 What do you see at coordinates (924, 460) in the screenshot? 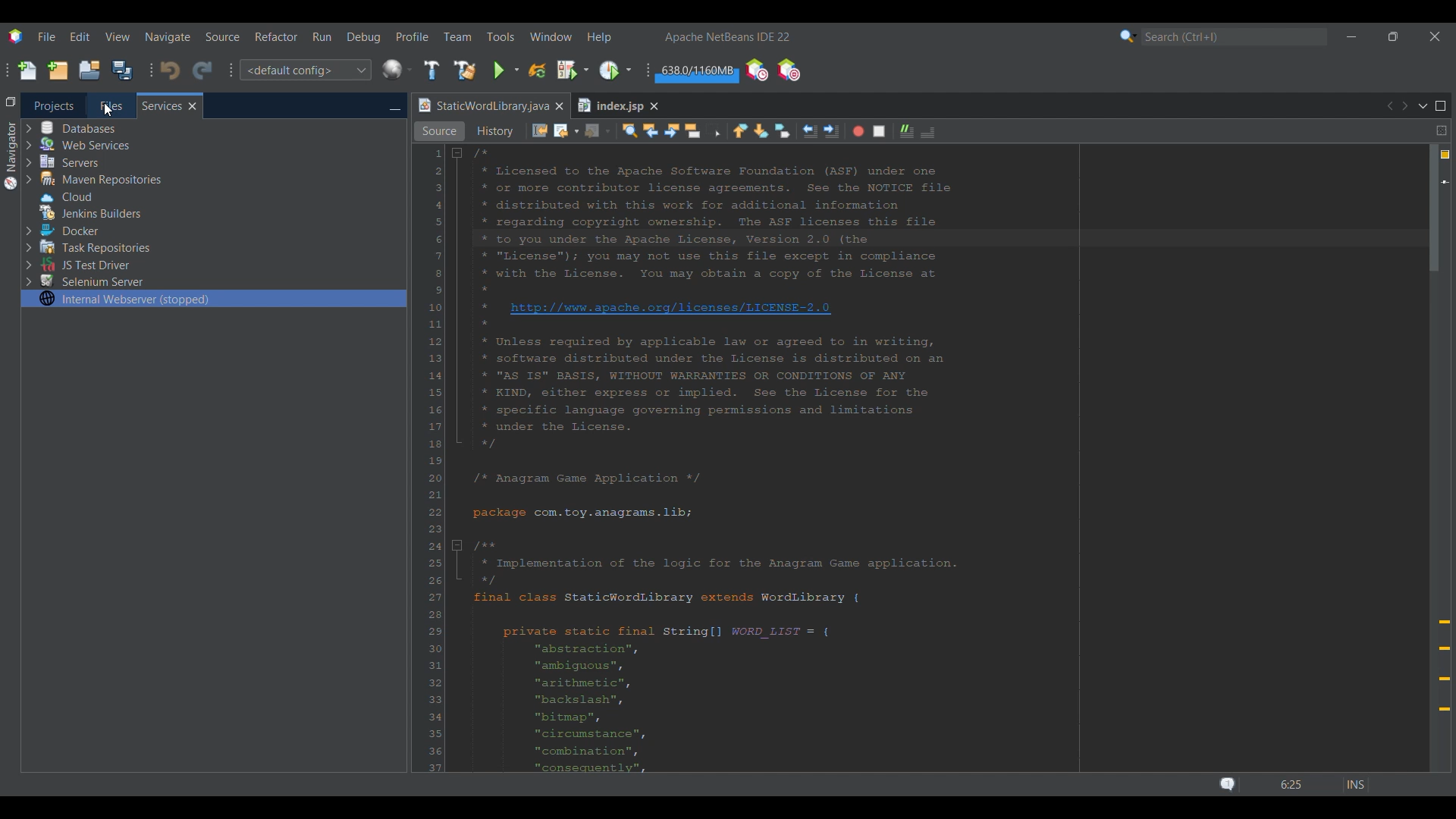
I see `Code in current tab` at bounding box center [924, 460].